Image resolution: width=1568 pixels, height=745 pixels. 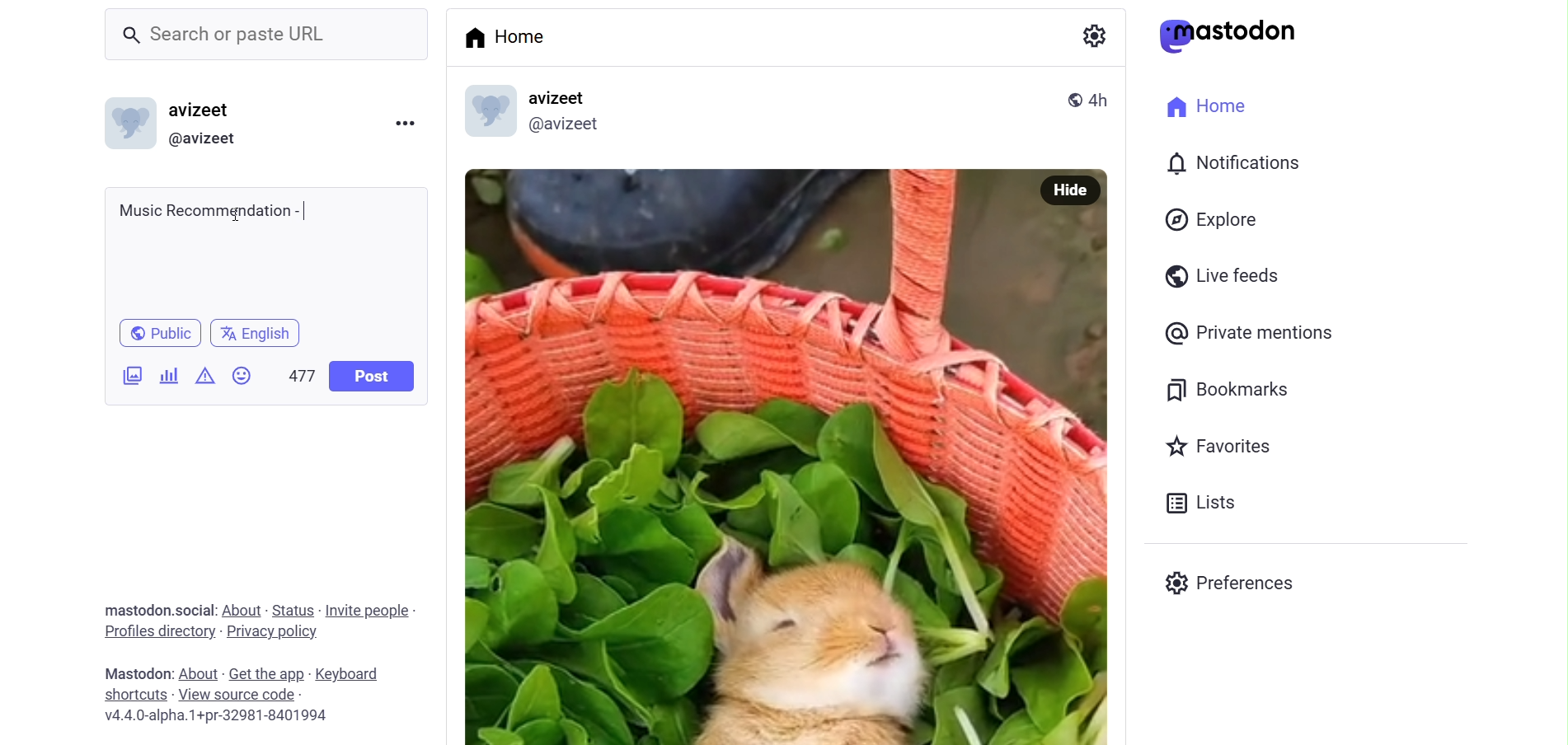 What do you see at coordinates (1074, 100) in the screenshot?
I see `public` at bounding box center [1074, 100].